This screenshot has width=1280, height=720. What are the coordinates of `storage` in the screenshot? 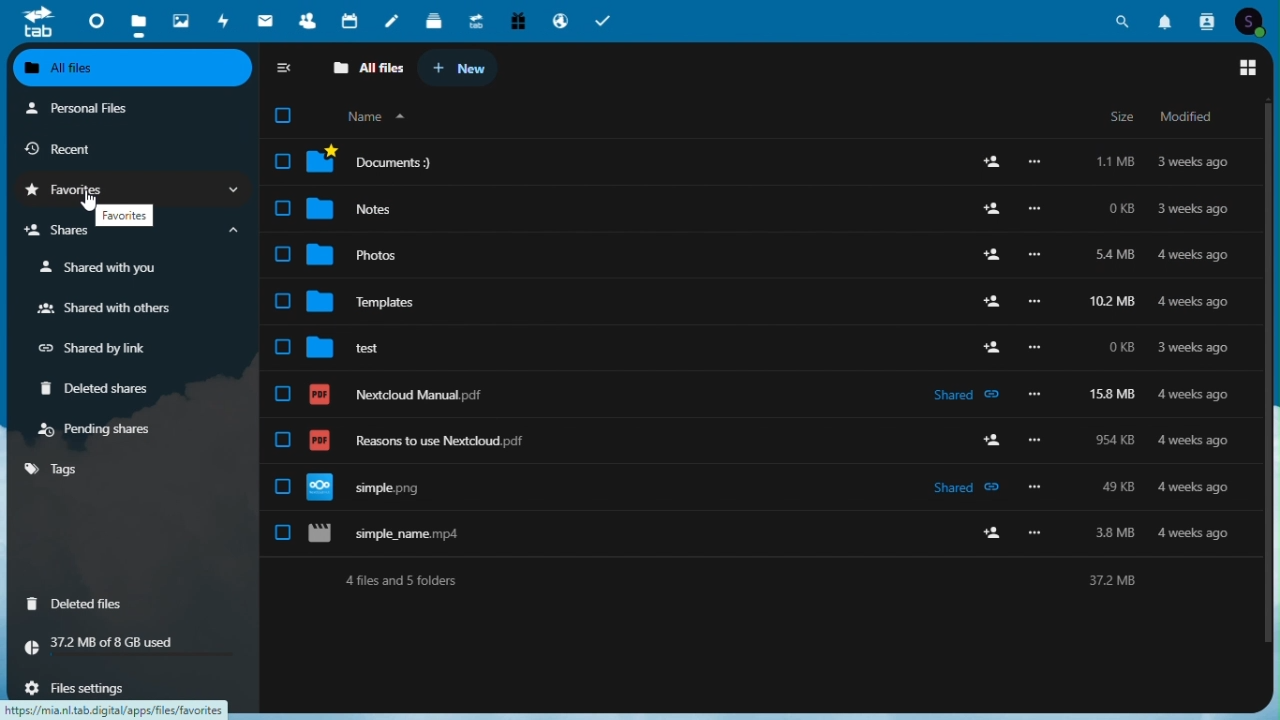 It's located at (128, 648).